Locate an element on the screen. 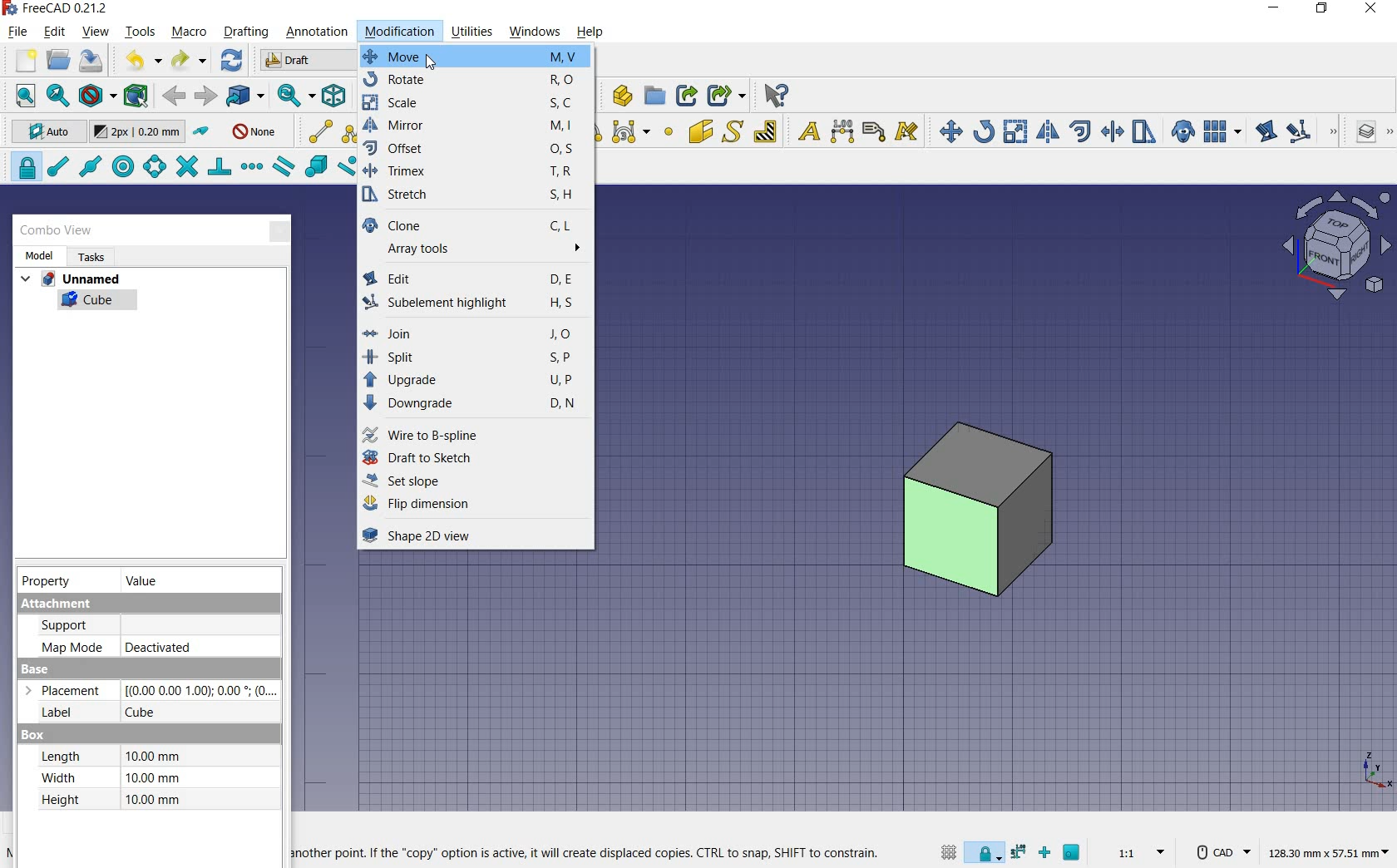  isometric is located at coordinates (334, 96).